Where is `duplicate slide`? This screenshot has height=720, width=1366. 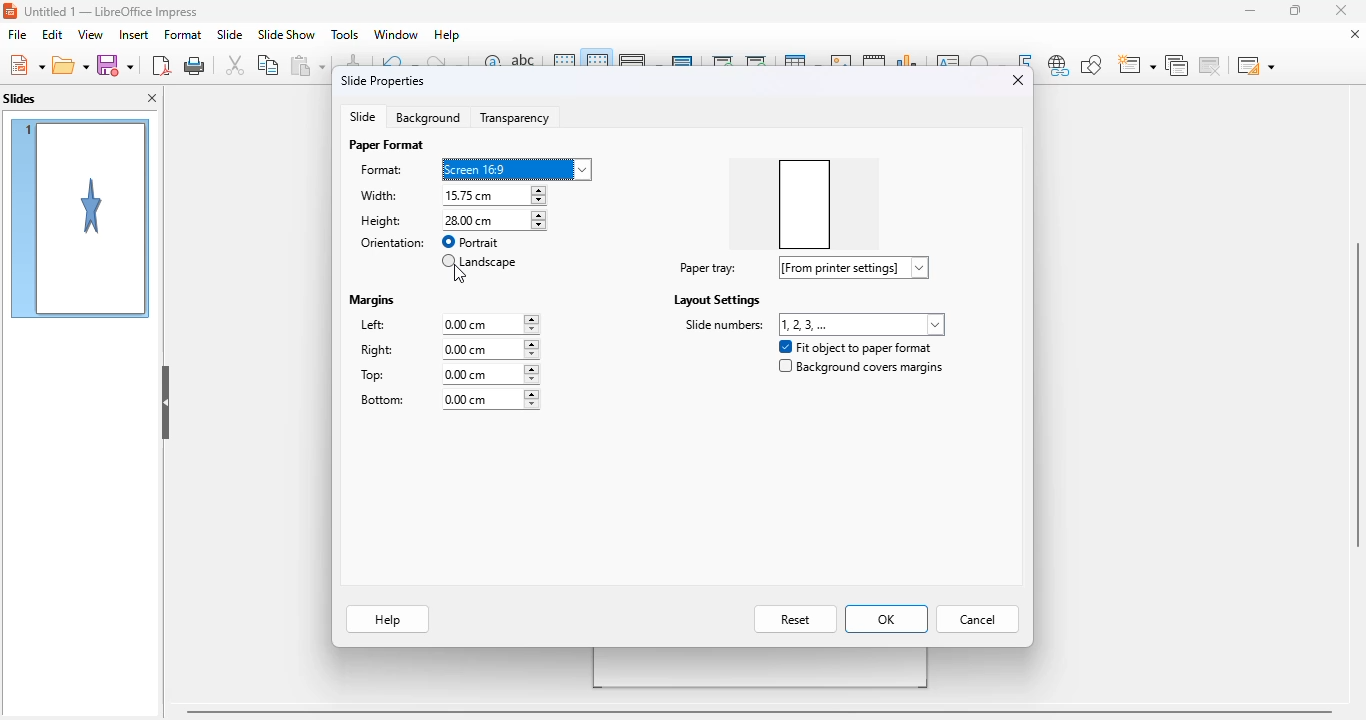
duplicate slide is located at coordinates (1176, 65).